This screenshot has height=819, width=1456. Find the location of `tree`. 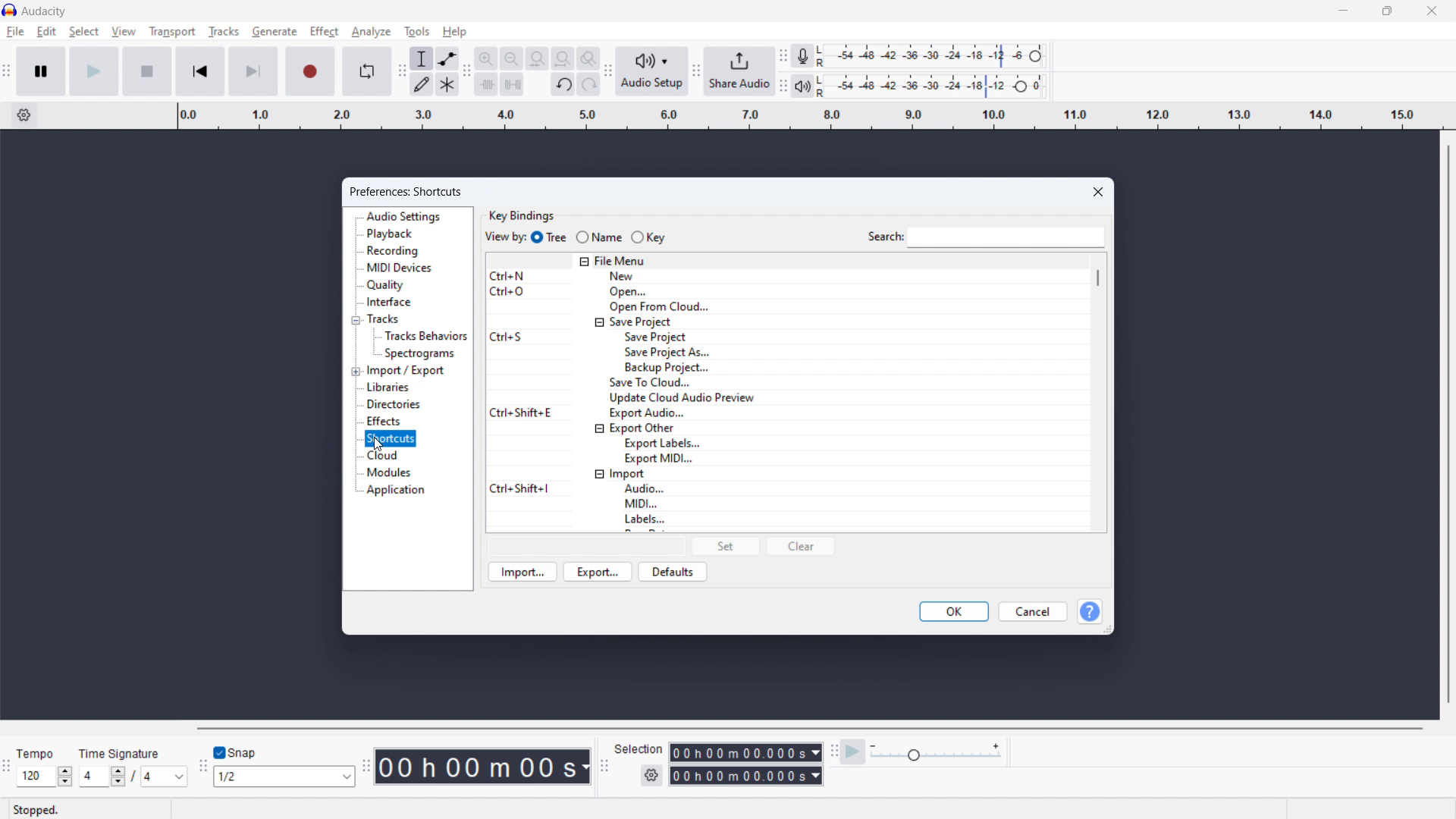

tree is located at coordinates (550, 237).